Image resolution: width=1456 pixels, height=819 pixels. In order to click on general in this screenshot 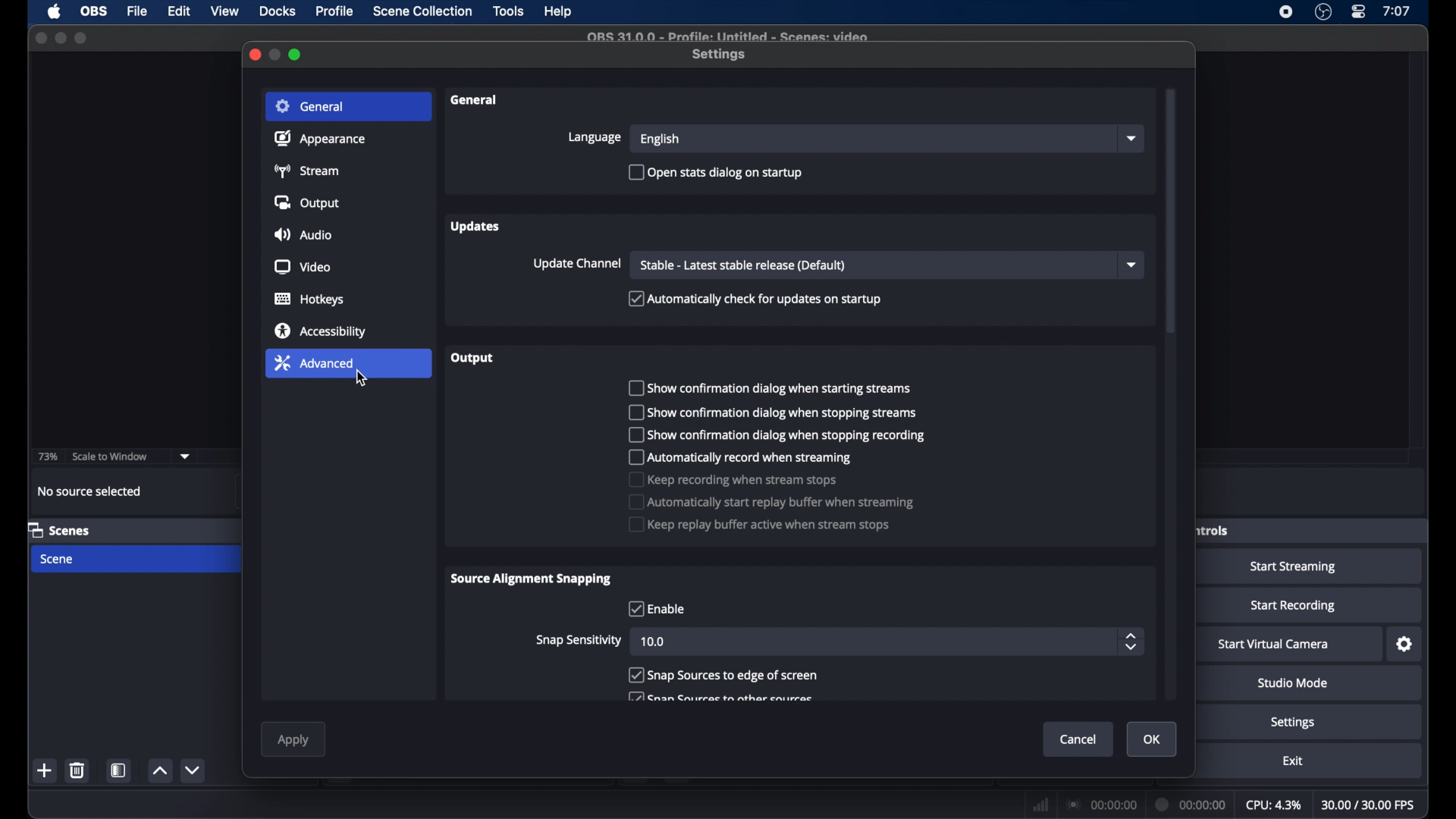, I will do `click(311, 107)`.